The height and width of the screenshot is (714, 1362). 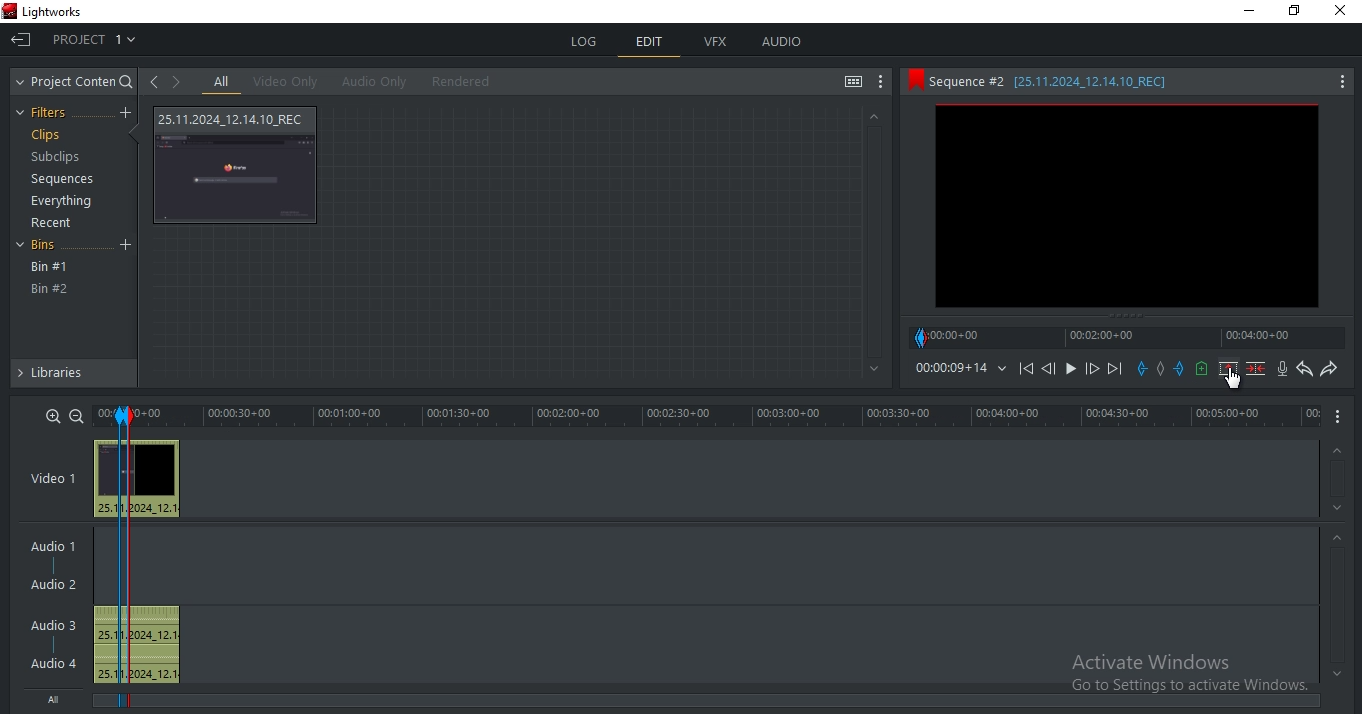 What do you see at coordinates (54, 415) in the screenshot?
I see `zoom in` at bounding box center [54, 415].